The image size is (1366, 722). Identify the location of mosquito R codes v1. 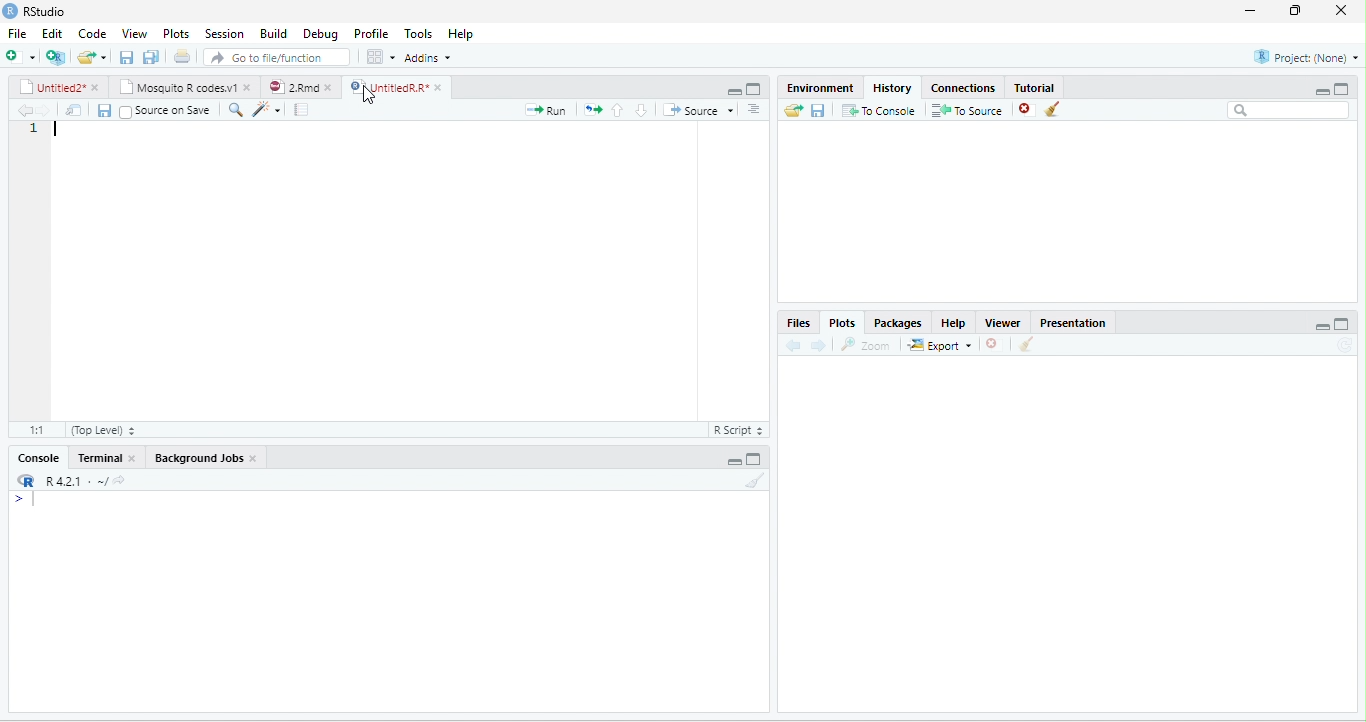
(183, 87).